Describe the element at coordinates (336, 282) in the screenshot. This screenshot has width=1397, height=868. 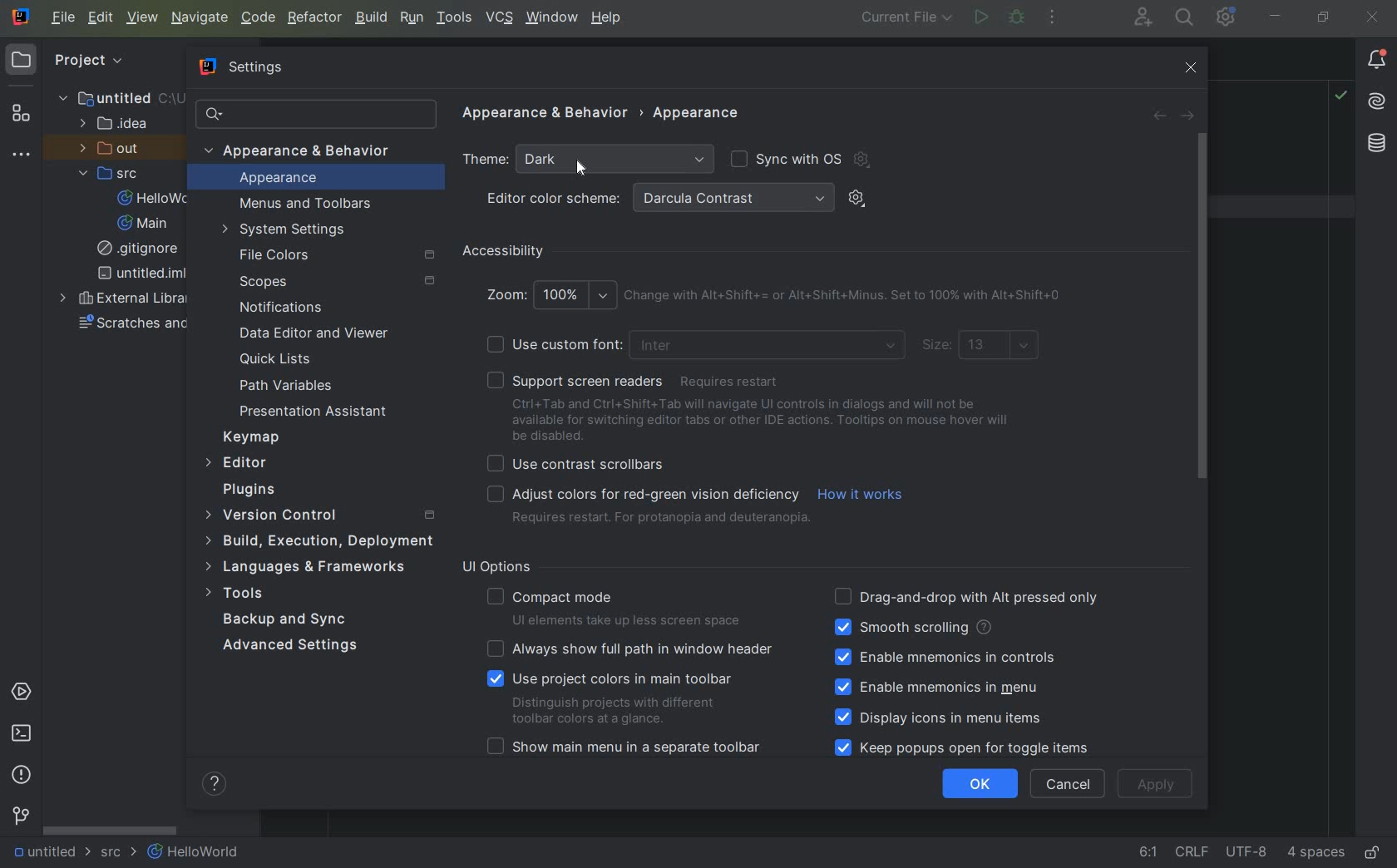
I see `SCOPES` at that location.